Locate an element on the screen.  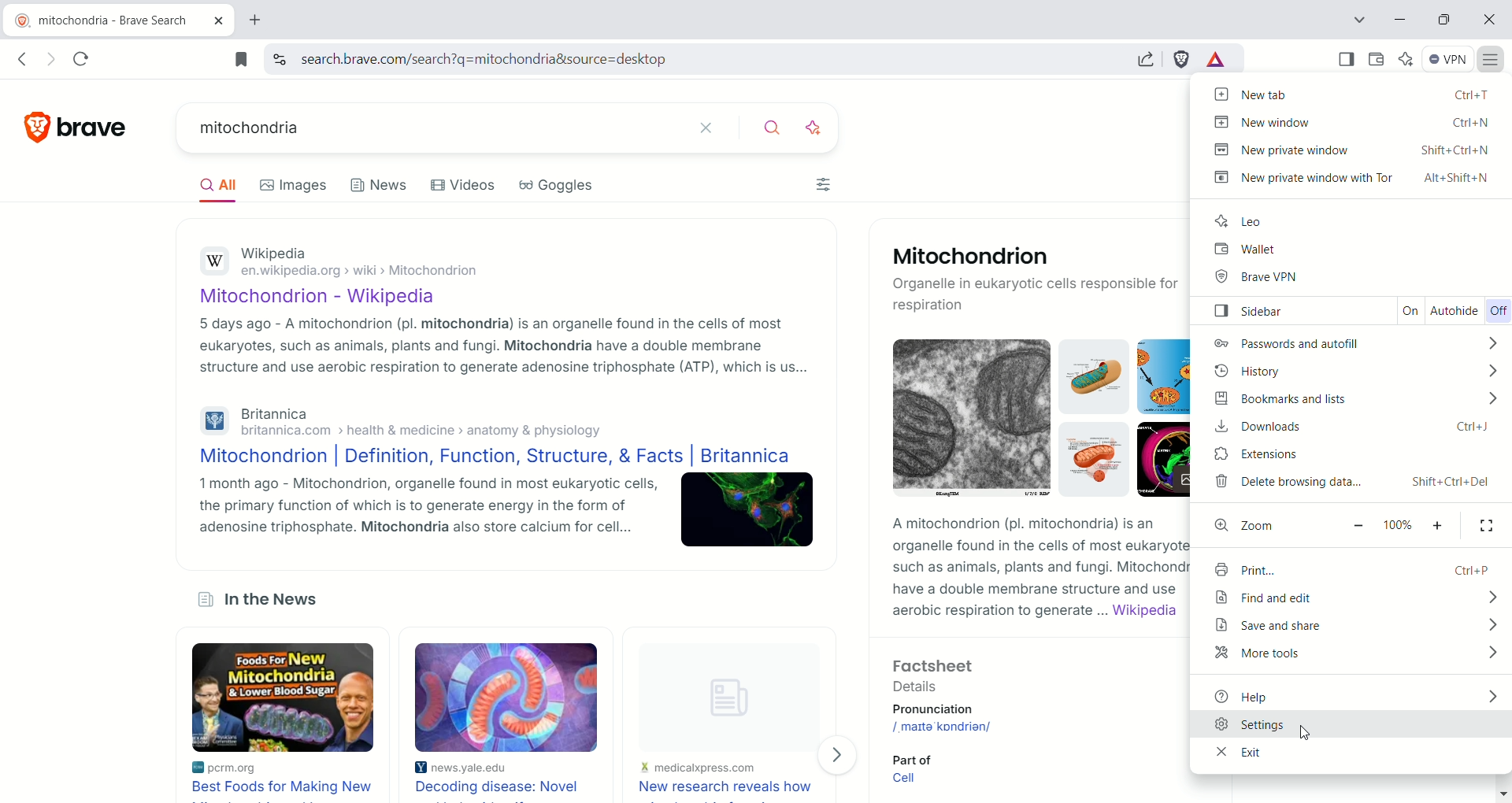
brave rewards is located at coordinates (1220, 62).